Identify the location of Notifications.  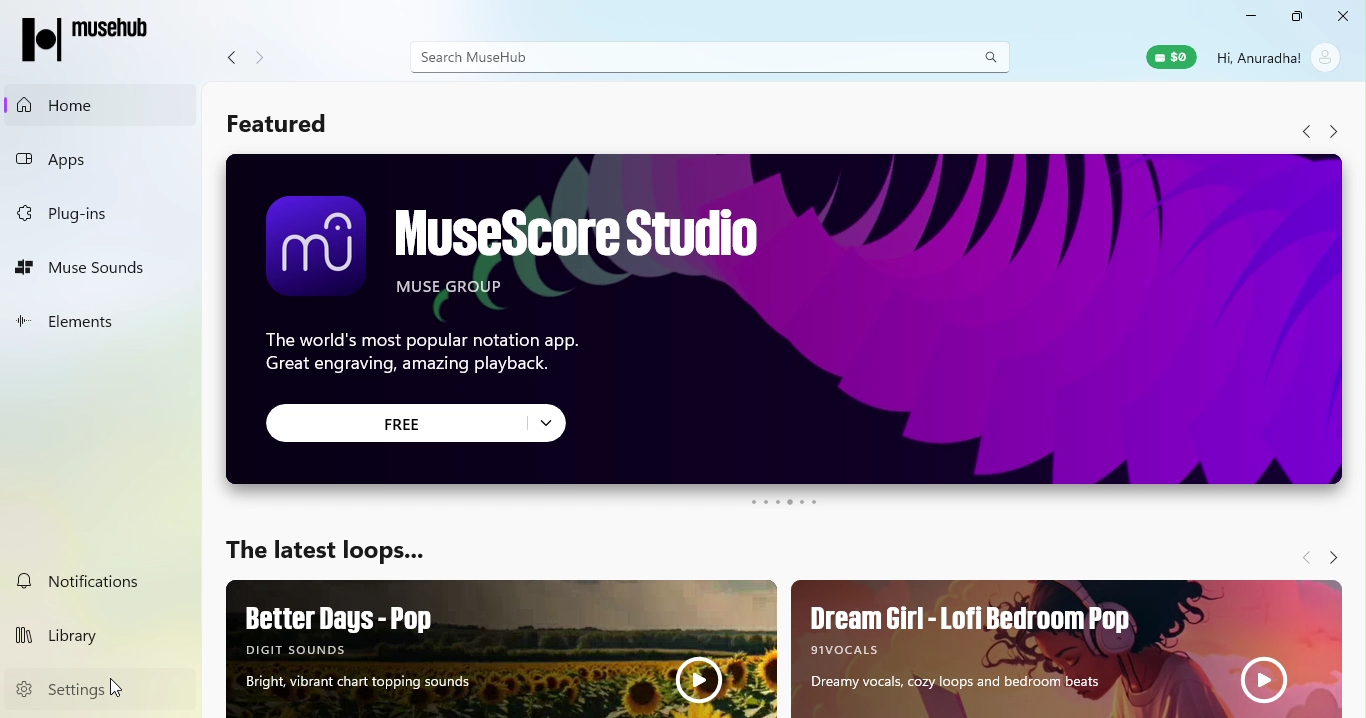
(104, 580).